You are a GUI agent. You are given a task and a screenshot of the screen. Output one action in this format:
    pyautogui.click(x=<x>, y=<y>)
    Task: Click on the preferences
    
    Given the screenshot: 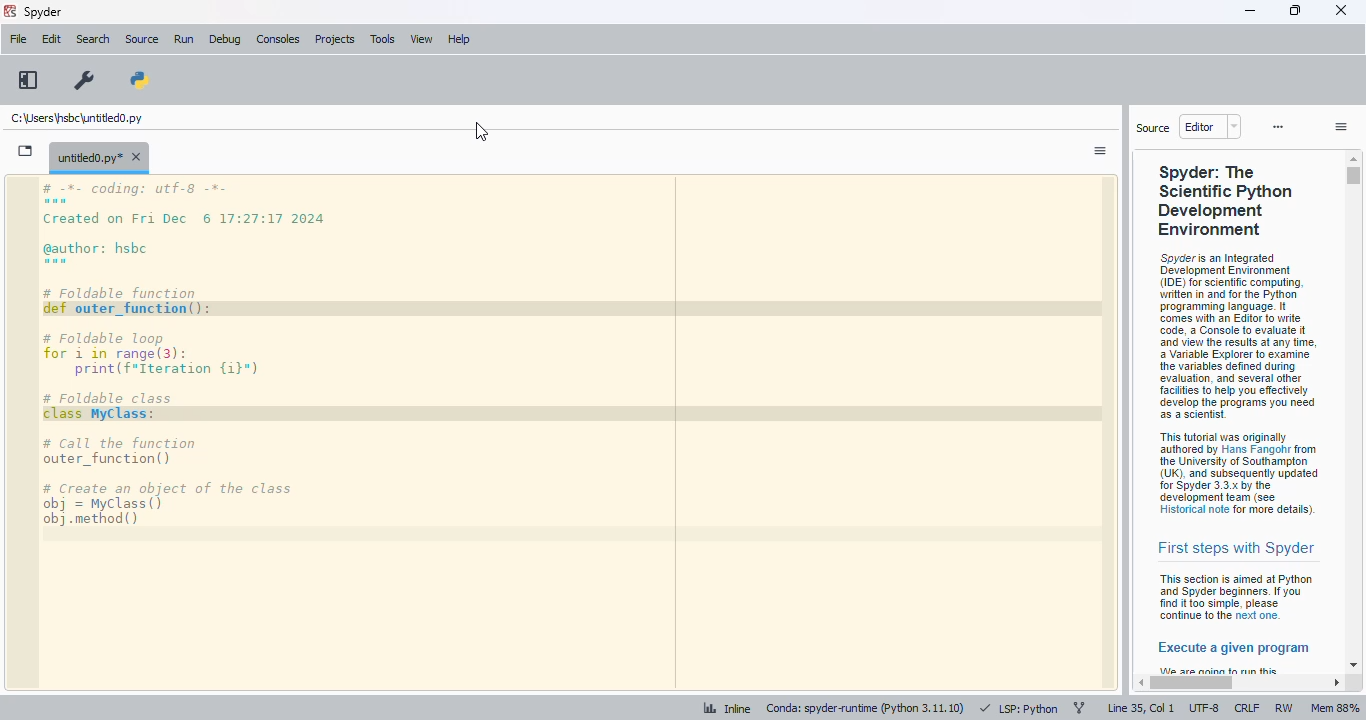 What is the action you would take?
    pyautogui.click(x=85, y=79)
    